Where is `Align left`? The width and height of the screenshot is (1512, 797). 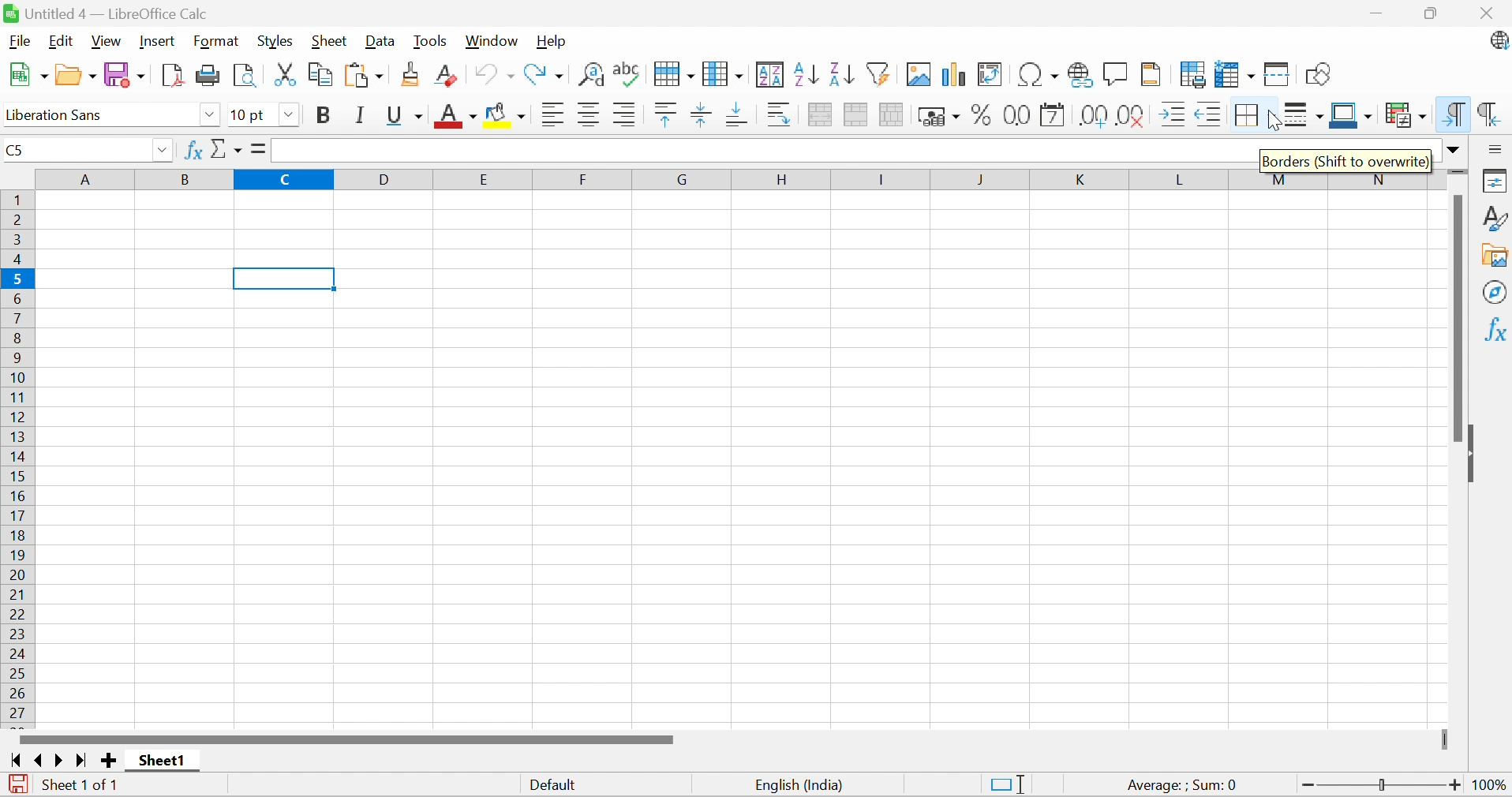 Align left is located at coordinates (555, 117).